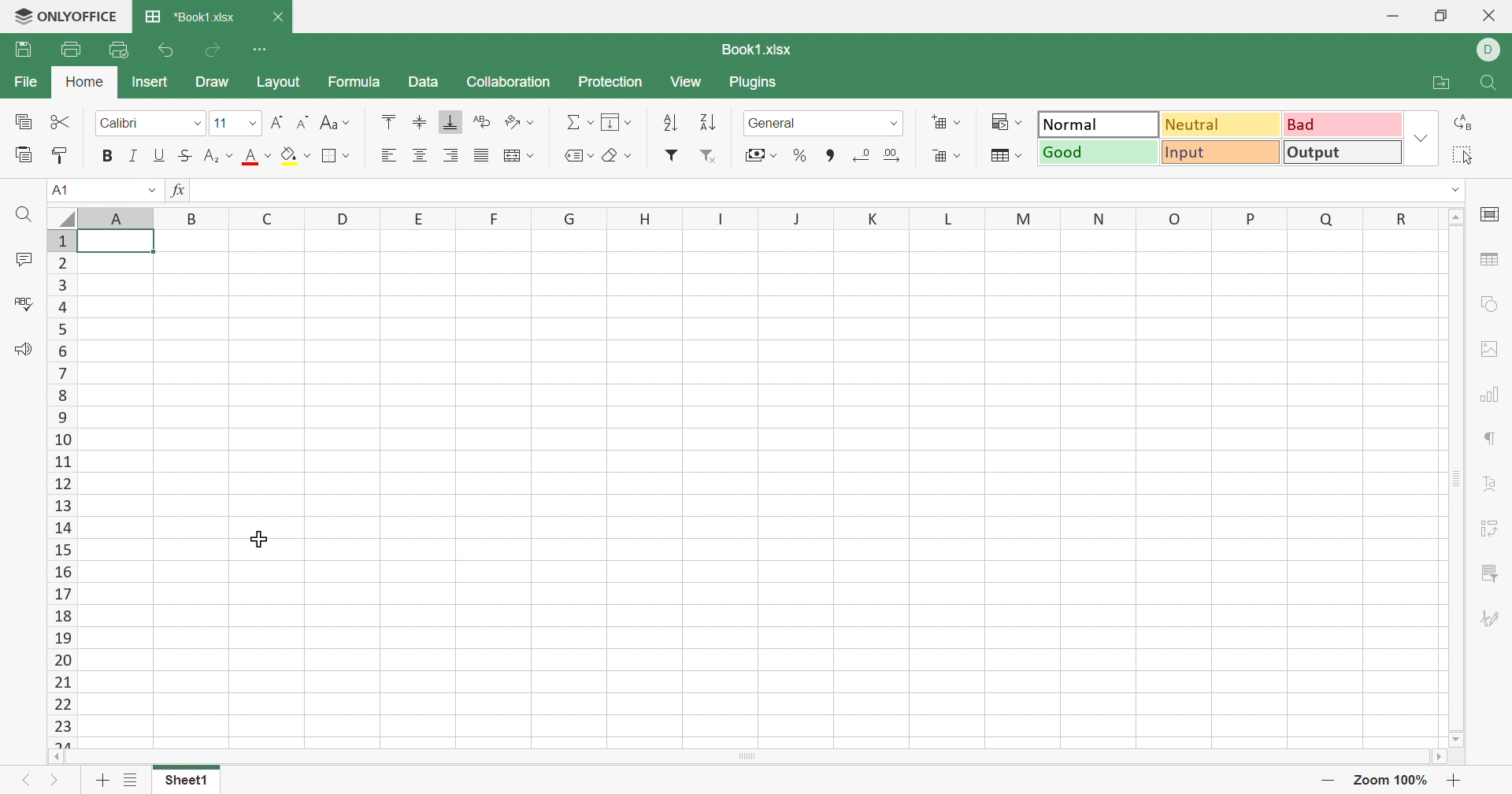  Describe the element at coordinates (388, 155) in the screenshot. I see `Align Left` at that location.